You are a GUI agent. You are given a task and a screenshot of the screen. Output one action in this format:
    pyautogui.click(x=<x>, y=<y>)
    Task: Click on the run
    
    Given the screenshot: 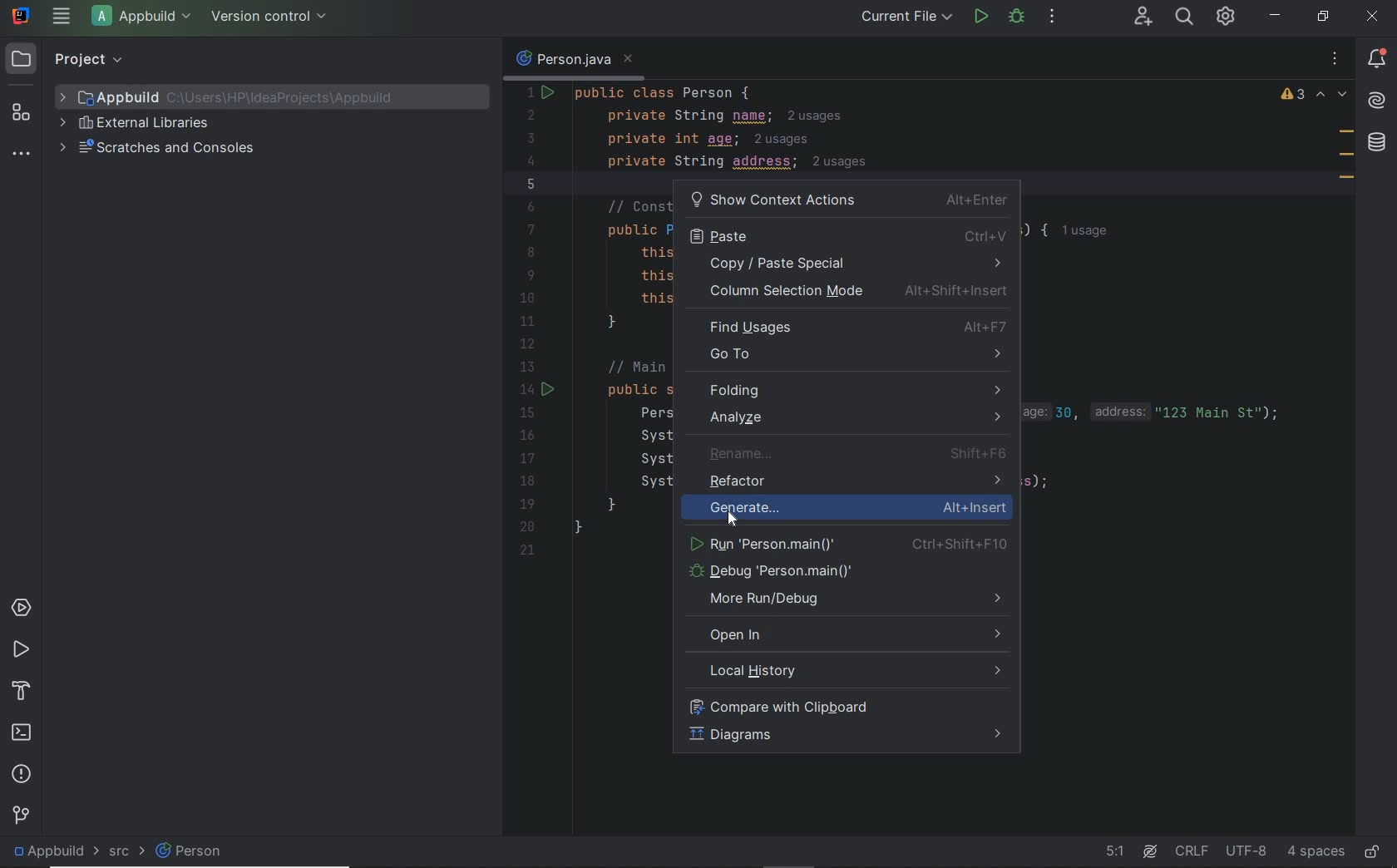 What is the action you would take?
    pyautogui.click(x=847, y=541)
    